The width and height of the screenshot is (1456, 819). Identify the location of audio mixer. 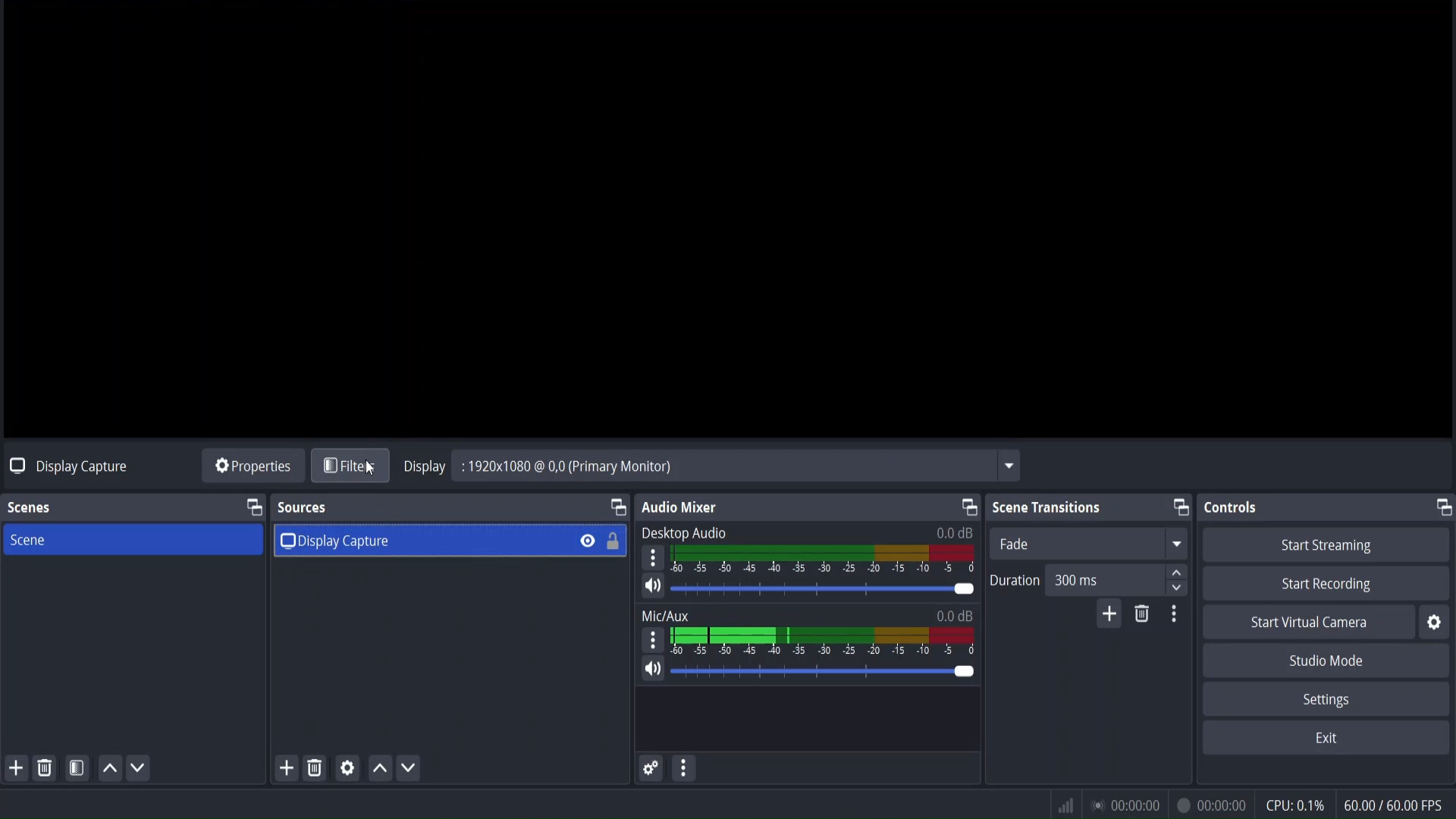
(679, 507).